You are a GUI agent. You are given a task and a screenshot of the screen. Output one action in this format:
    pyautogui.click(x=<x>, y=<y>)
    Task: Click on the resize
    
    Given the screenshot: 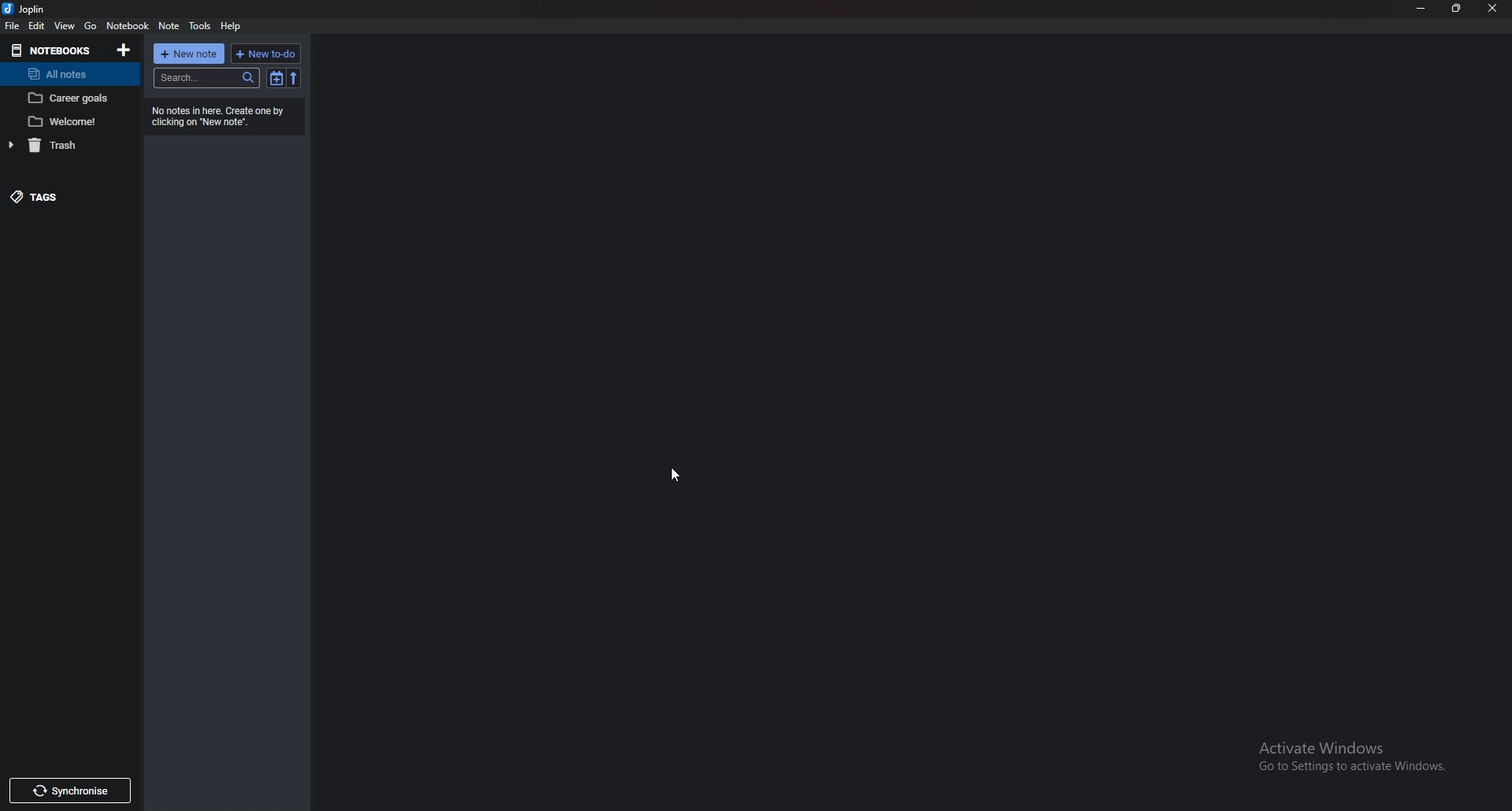 What is the action you would take?
    pyautogui.click(x=1455, y=9)
    